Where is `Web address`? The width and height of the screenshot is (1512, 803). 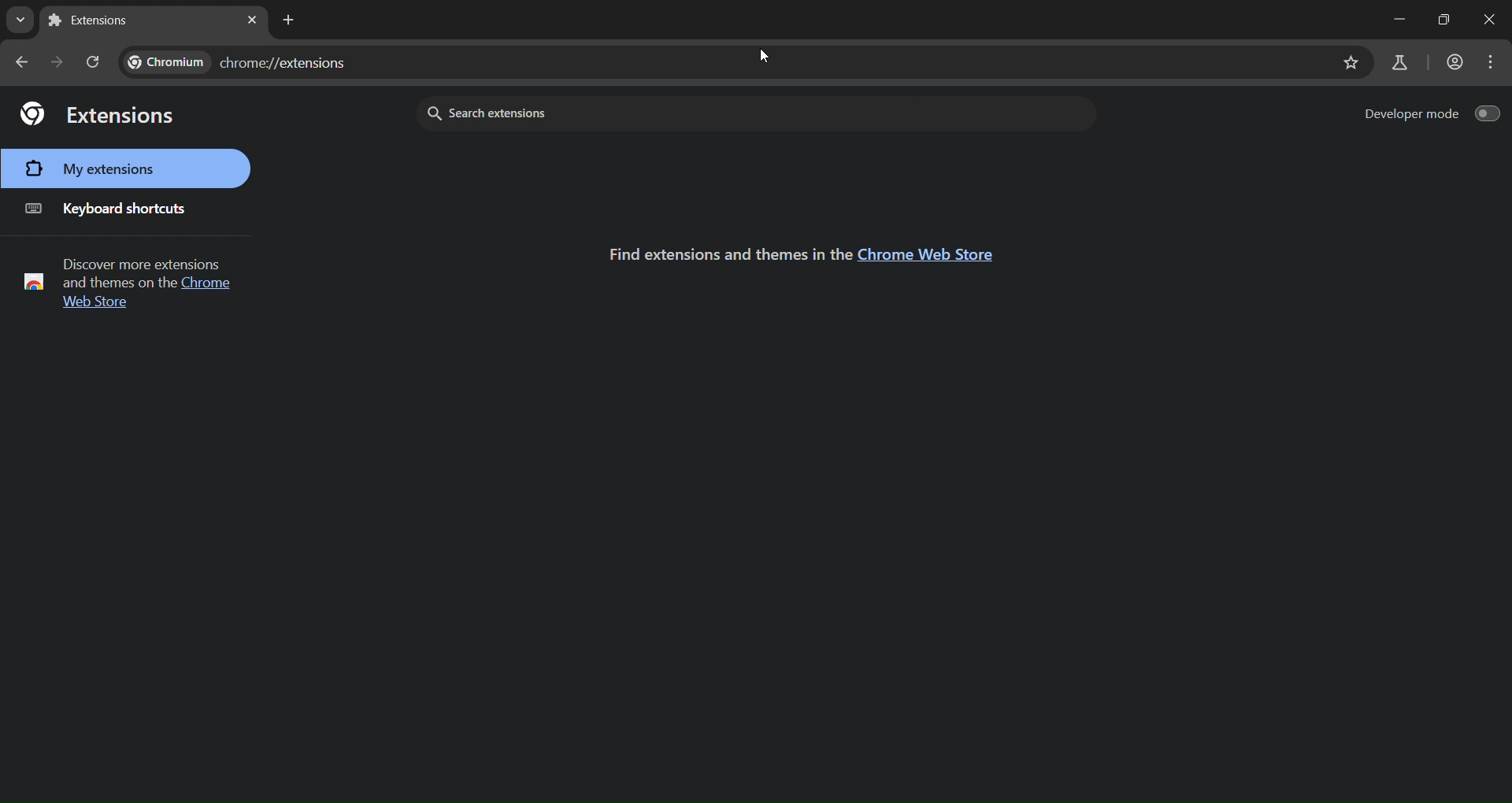 Web address is located at coordinates (236, 60).